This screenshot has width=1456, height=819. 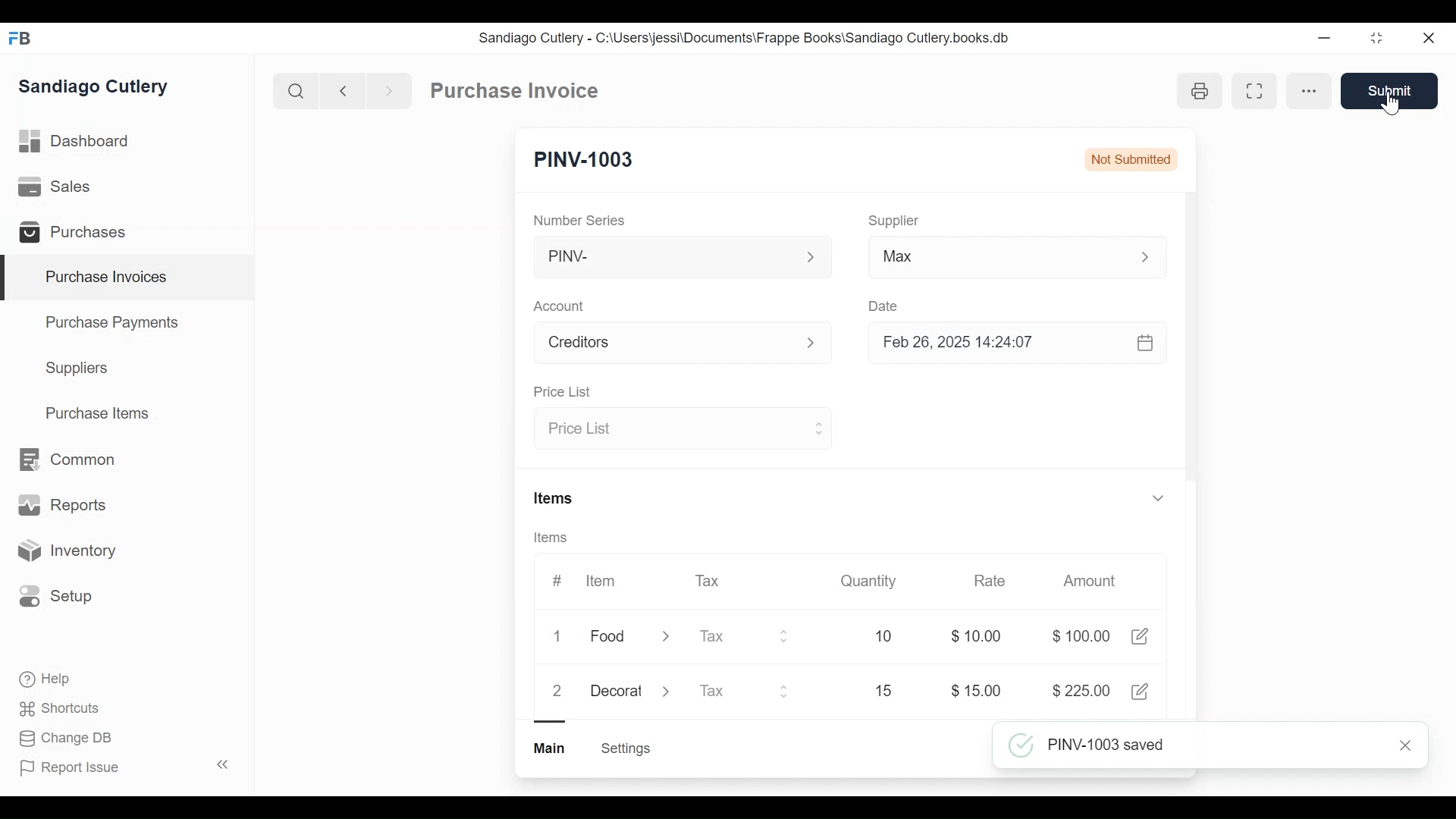 What do you see at coordinates (1200, 90) in the screenshot?
I see `Print` at bounding box center [1200, 90].